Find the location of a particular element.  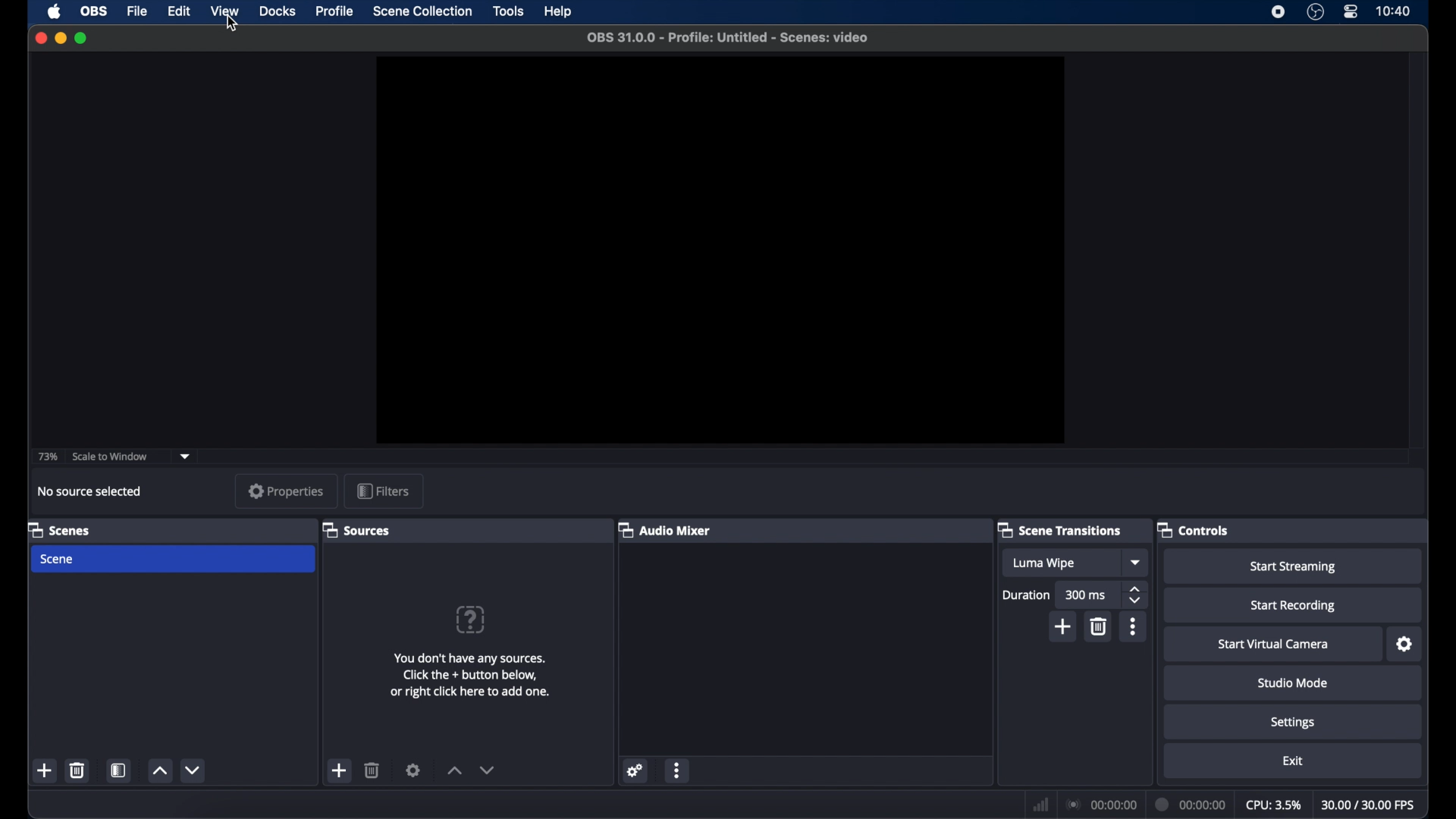

settings is located at coordinates (636, 770).